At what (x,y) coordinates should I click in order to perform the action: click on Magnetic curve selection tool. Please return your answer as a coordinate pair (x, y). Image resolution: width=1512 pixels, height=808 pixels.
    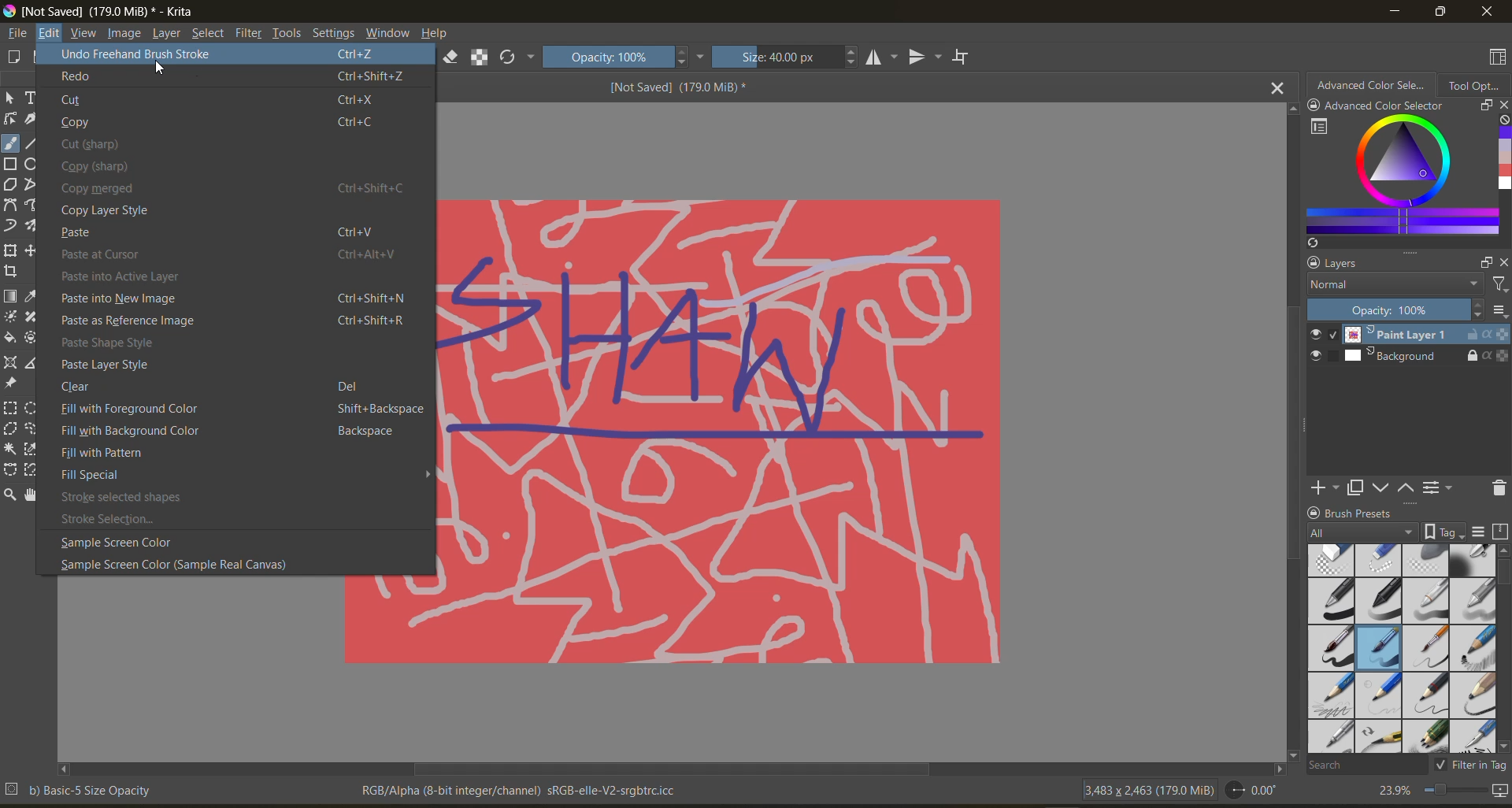
    Looking at the image, I should click on (35, 469).